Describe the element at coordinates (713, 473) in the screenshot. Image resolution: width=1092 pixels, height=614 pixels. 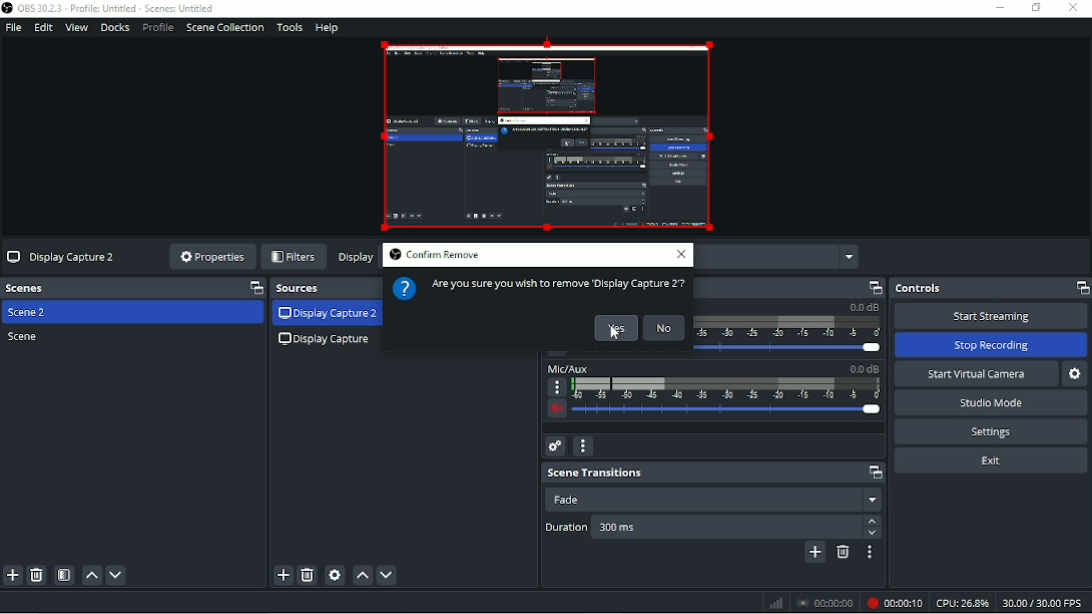
I see `Scene transitions` at that location.